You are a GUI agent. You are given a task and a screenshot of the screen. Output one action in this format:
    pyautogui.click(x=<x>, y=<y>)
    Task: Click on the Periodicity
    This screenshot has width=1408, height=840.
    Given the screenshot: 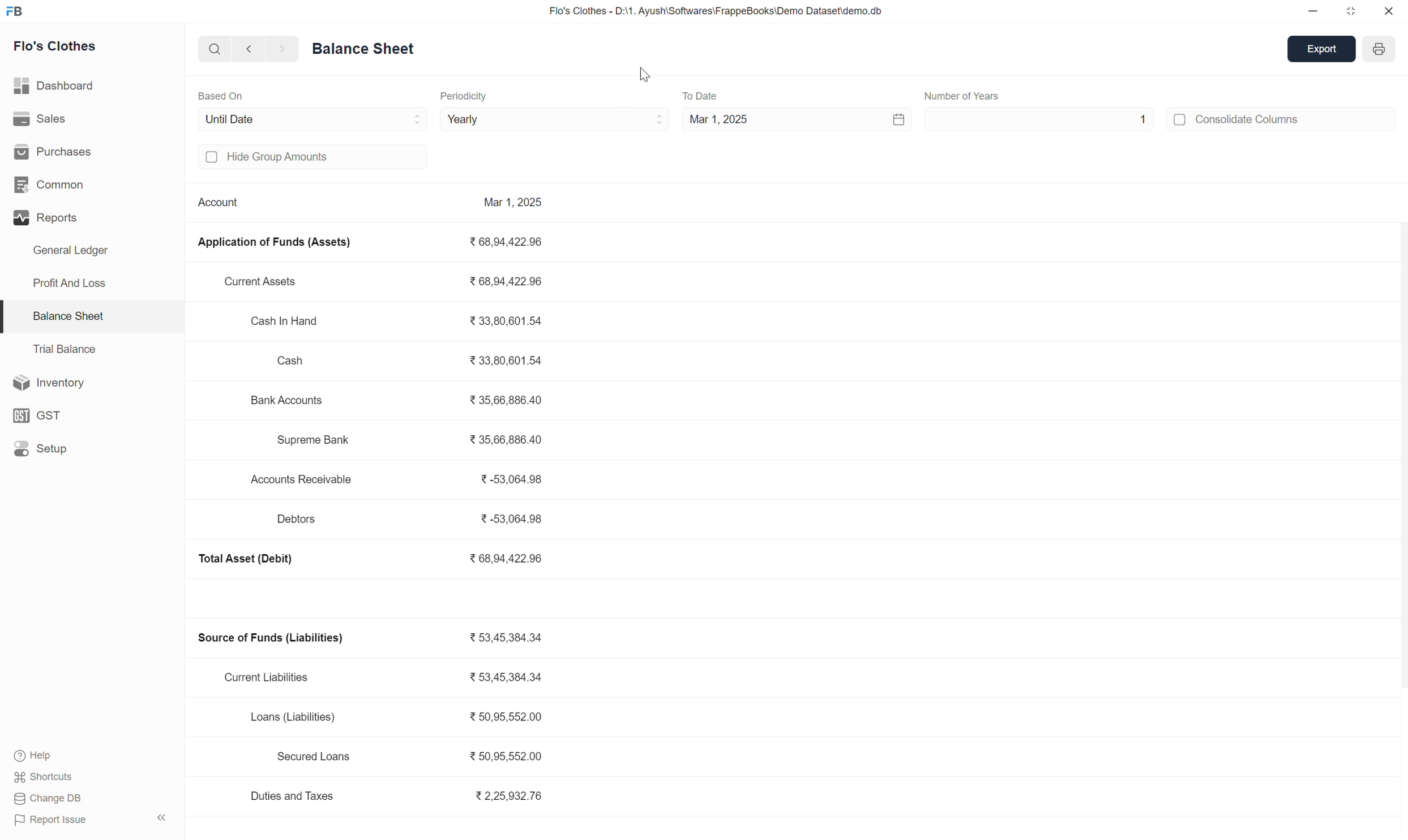 What is the action you would take?
    pyautogui.click(x=469, y=96)
    